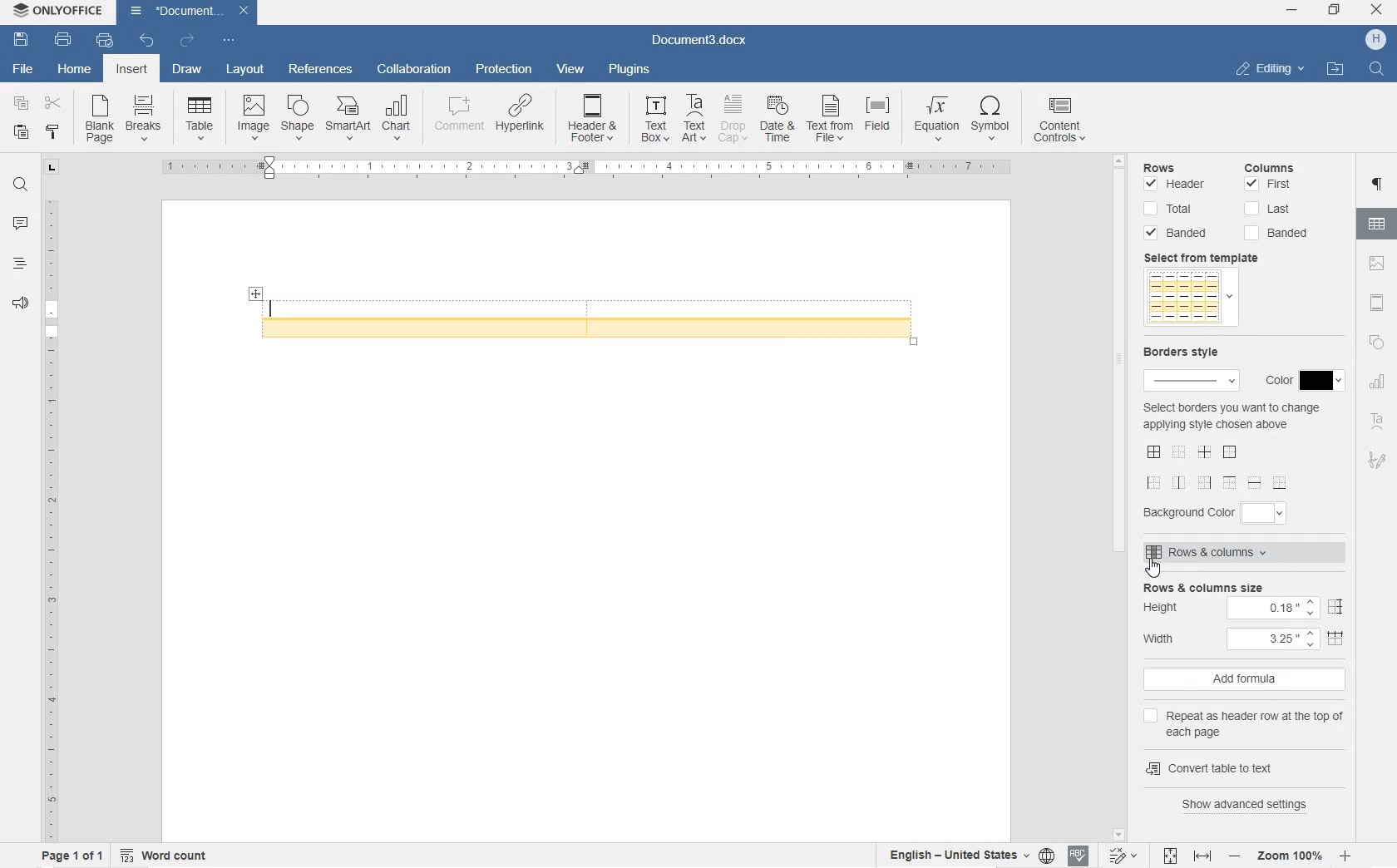 The width and height of the screenshot is (1397, 868). I want to click on chart, so click(397, 118).